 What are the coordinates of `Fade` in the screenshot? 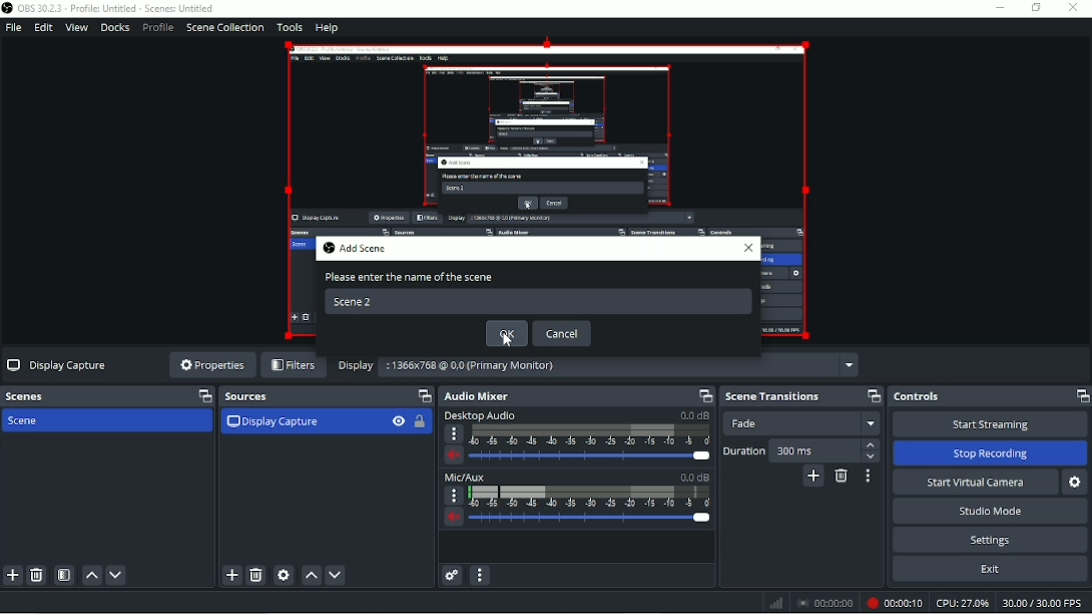 It's located at (805, 424).